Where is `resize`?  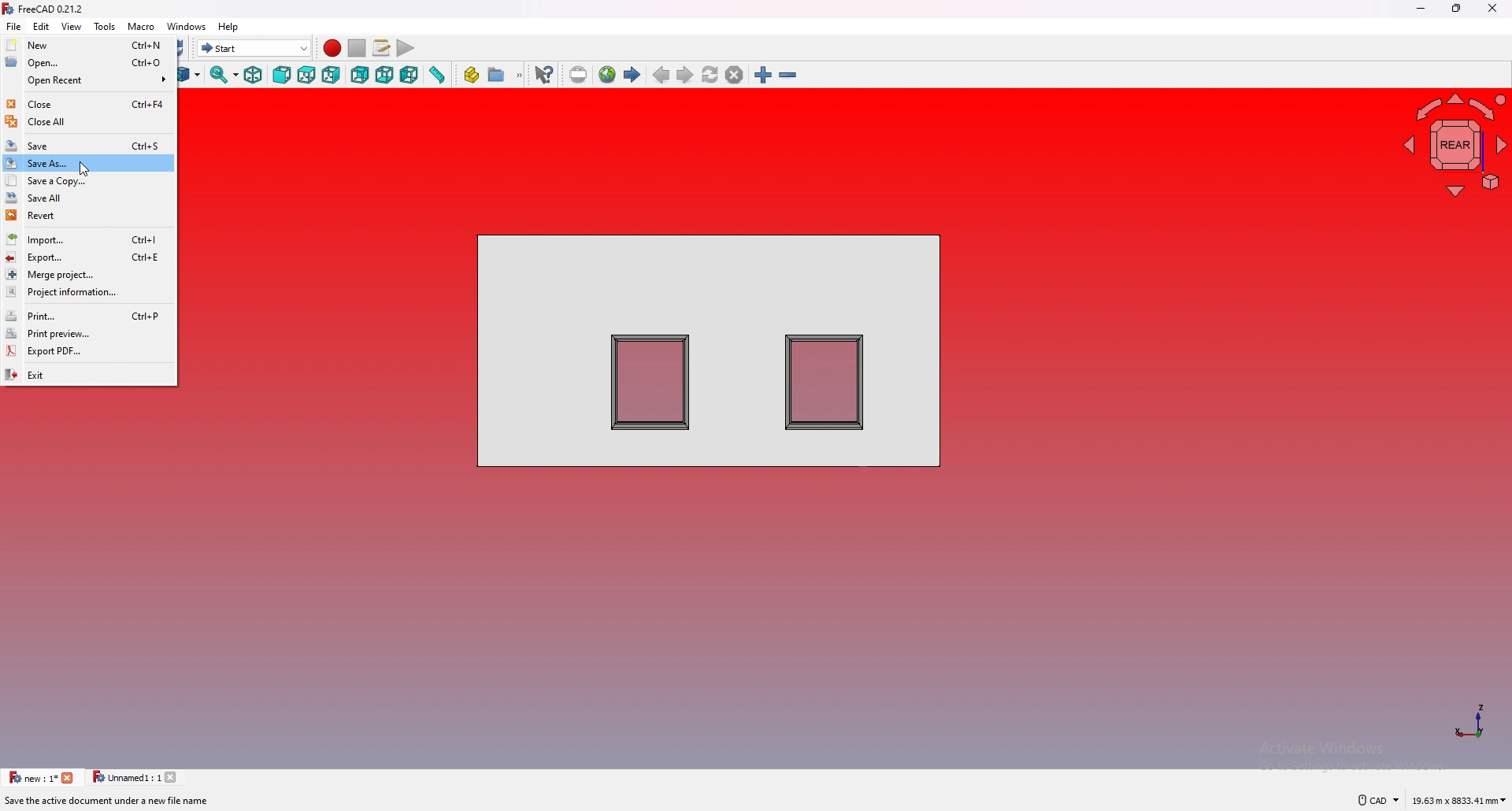 resize is located at coordinates (1458, 8).